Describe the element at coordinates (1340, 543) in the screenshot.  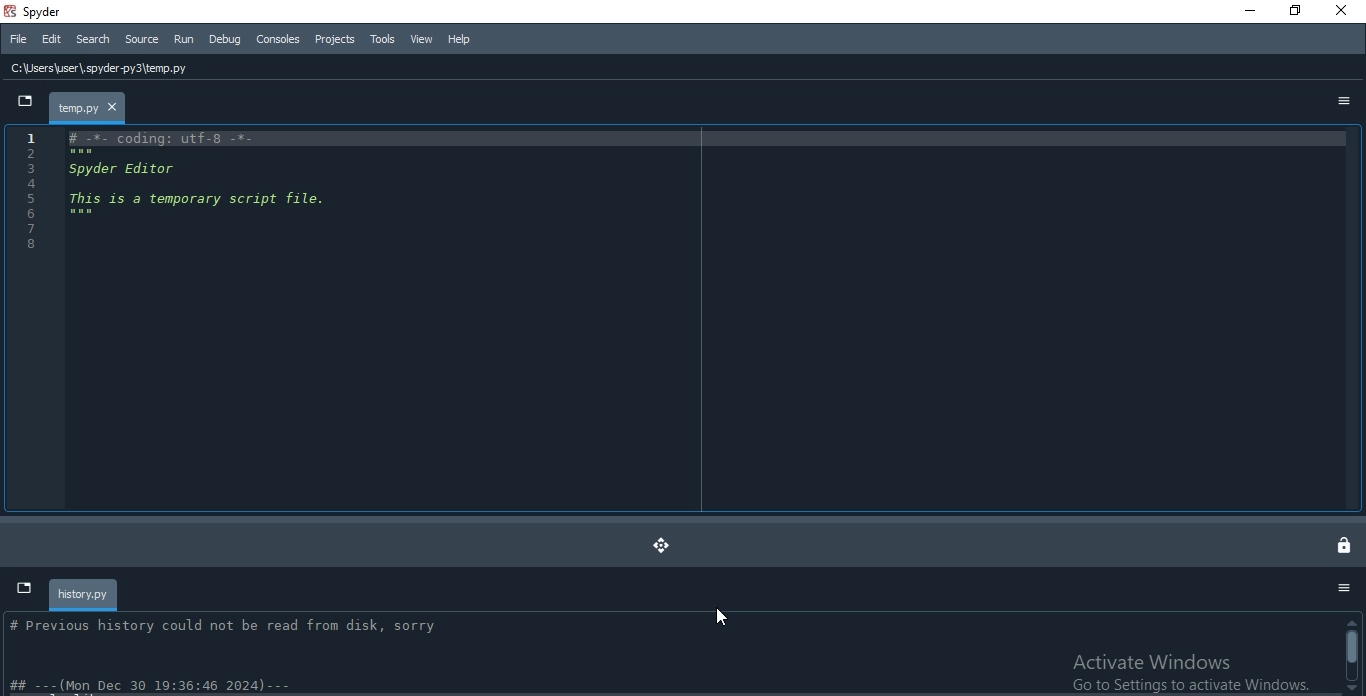
I see `lock` at that location.